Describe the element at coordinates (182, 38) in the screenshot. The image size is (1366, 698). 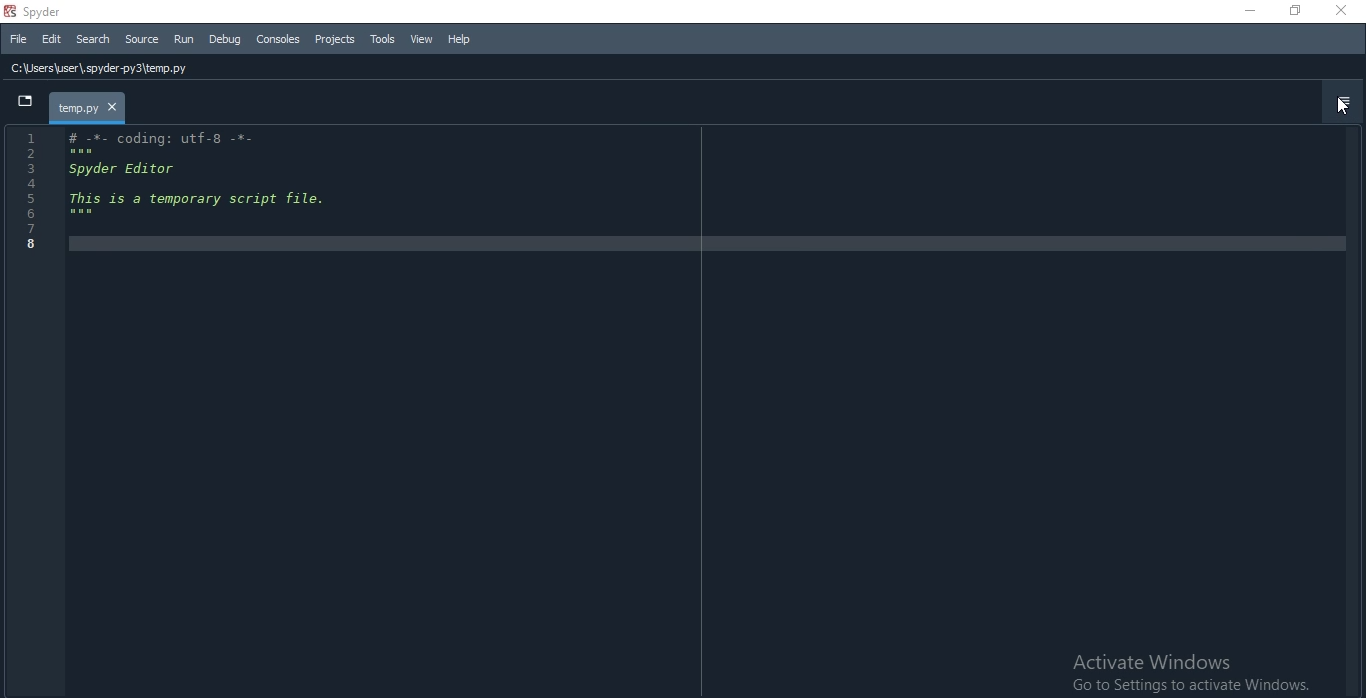
I see `Run` at that location.